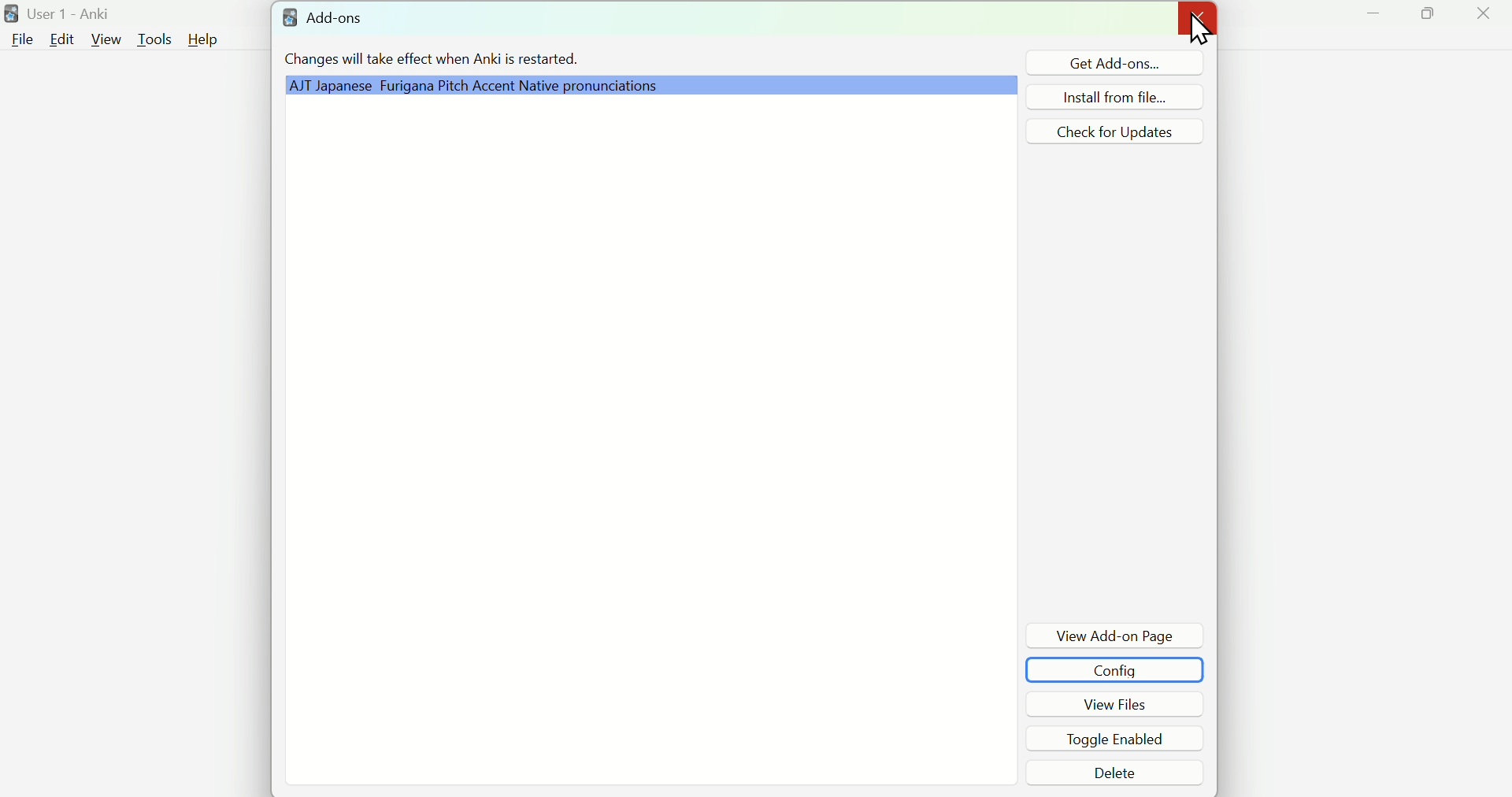  Describe the element at coordinates (59, 42) in the screenshot. I see `Edit` at that location.